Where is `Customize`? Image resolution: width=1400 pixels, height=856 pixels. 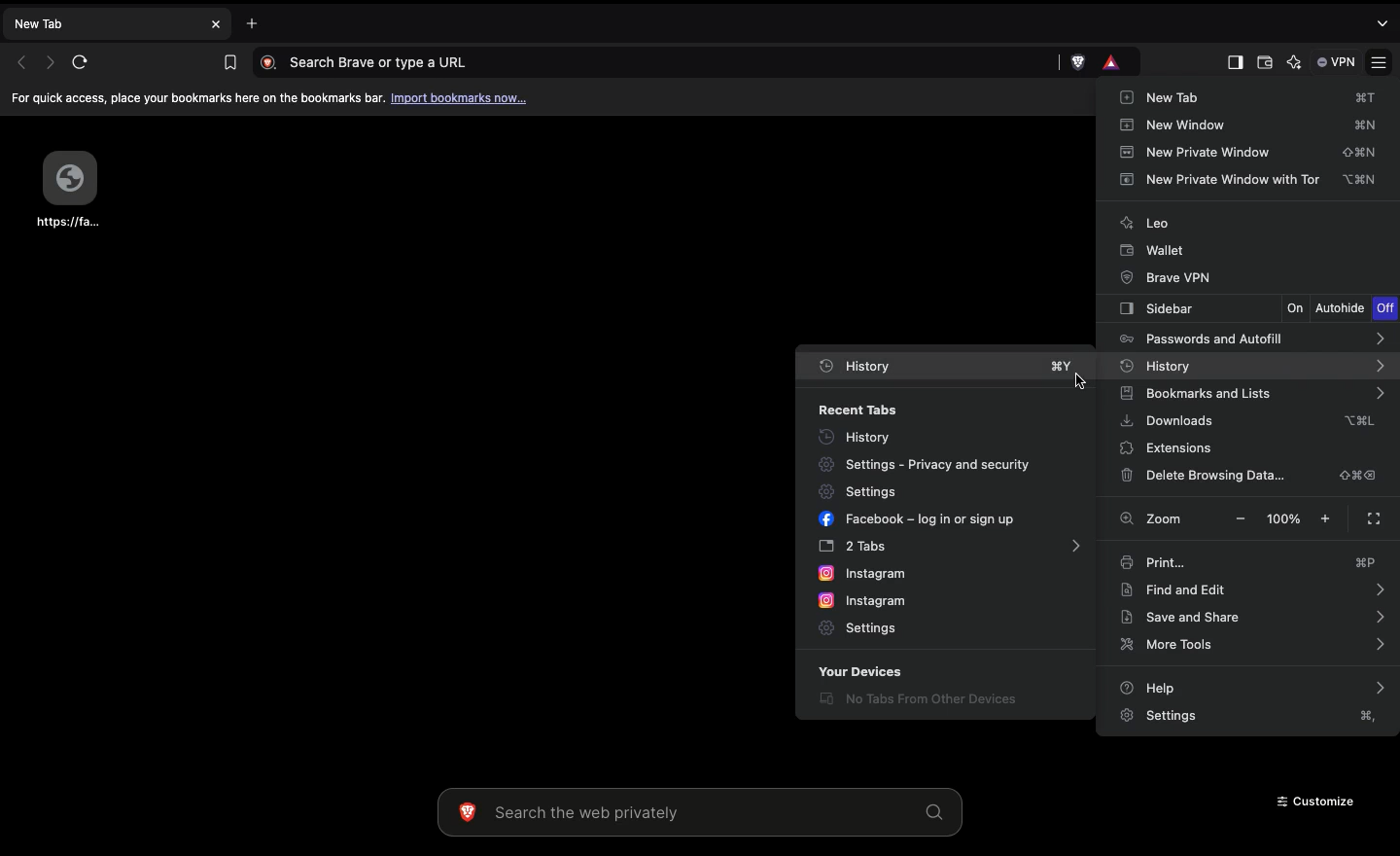
Customize is located at coordinates (1312, 804).